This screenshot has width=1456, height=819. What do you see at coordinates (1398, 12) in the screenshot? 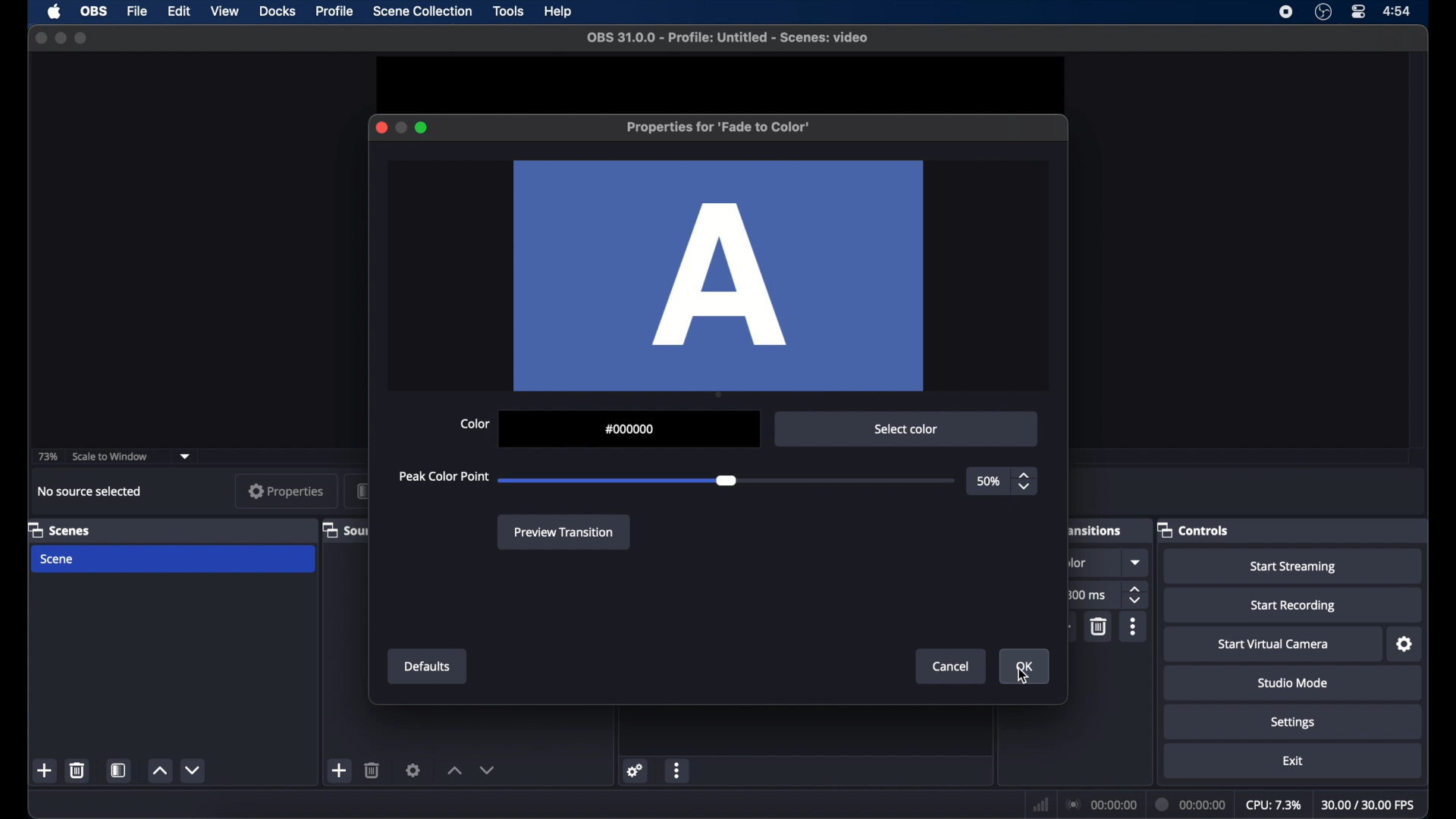
I see `time` at bounding box center [1398, 12].